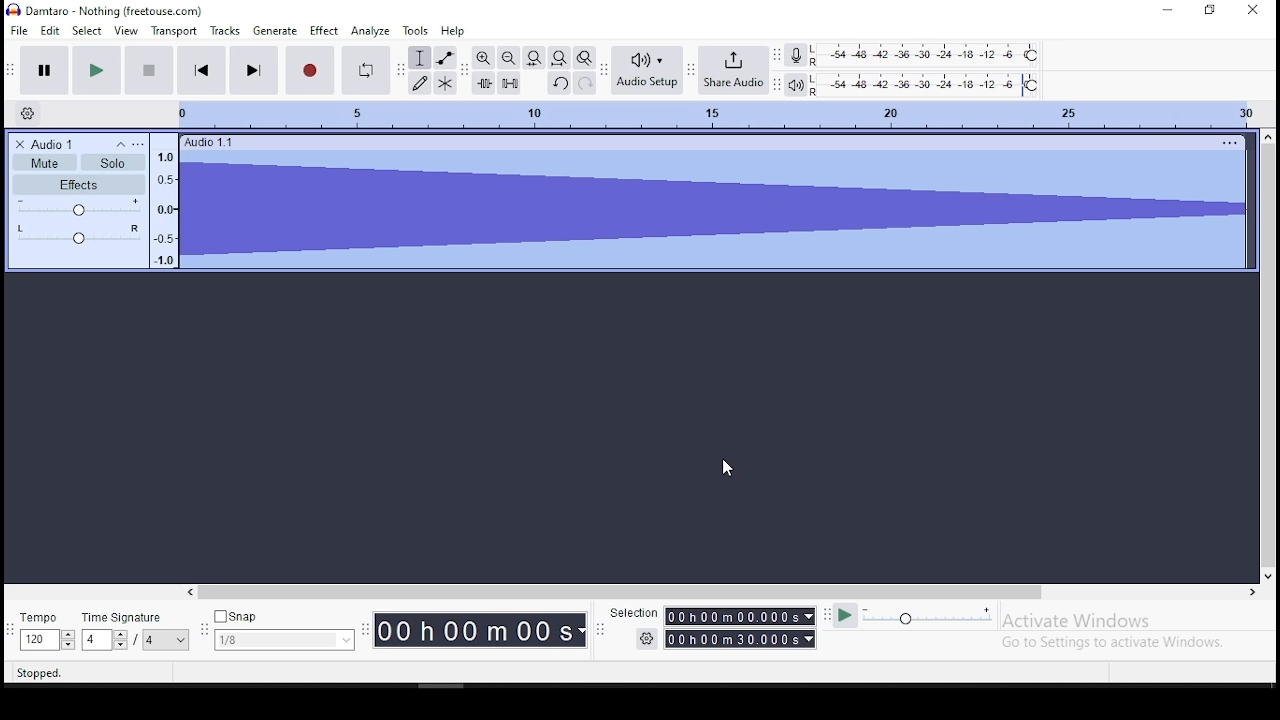 Image resolution: width=1280 pixels, height=720 pixels. I want to click on undo, so click(558, 82).